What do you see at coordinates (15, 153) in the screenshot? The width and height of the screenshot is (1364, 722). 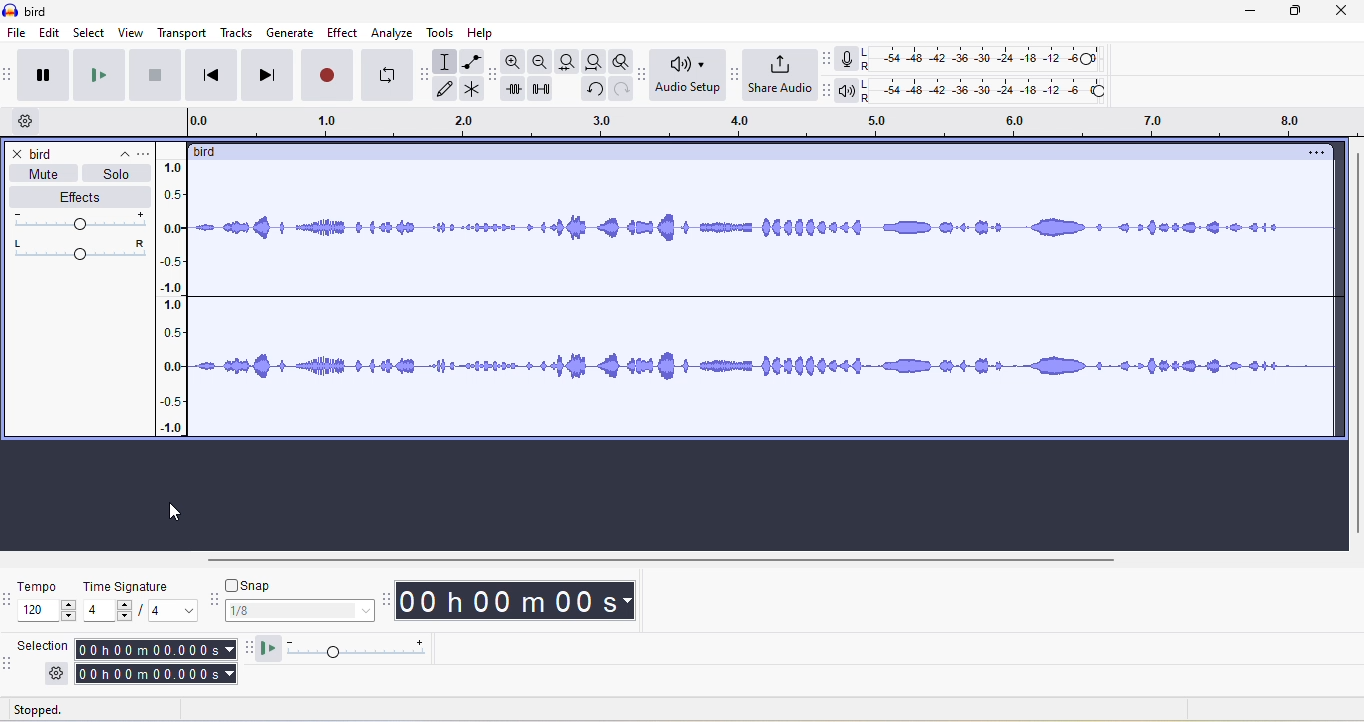 I see `close` at bounding box center [15, 153].